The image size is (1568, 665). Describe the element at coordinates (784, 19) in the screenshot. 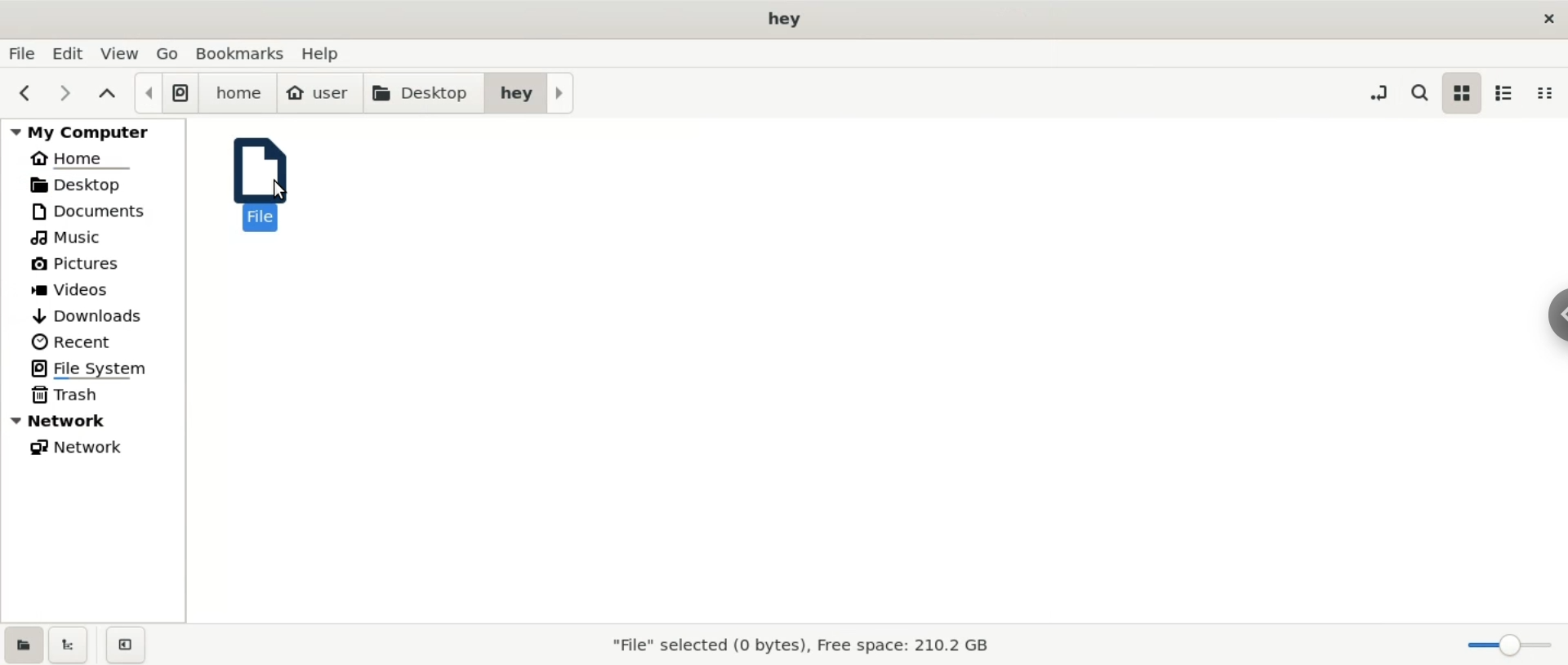

I see `title` at that location.